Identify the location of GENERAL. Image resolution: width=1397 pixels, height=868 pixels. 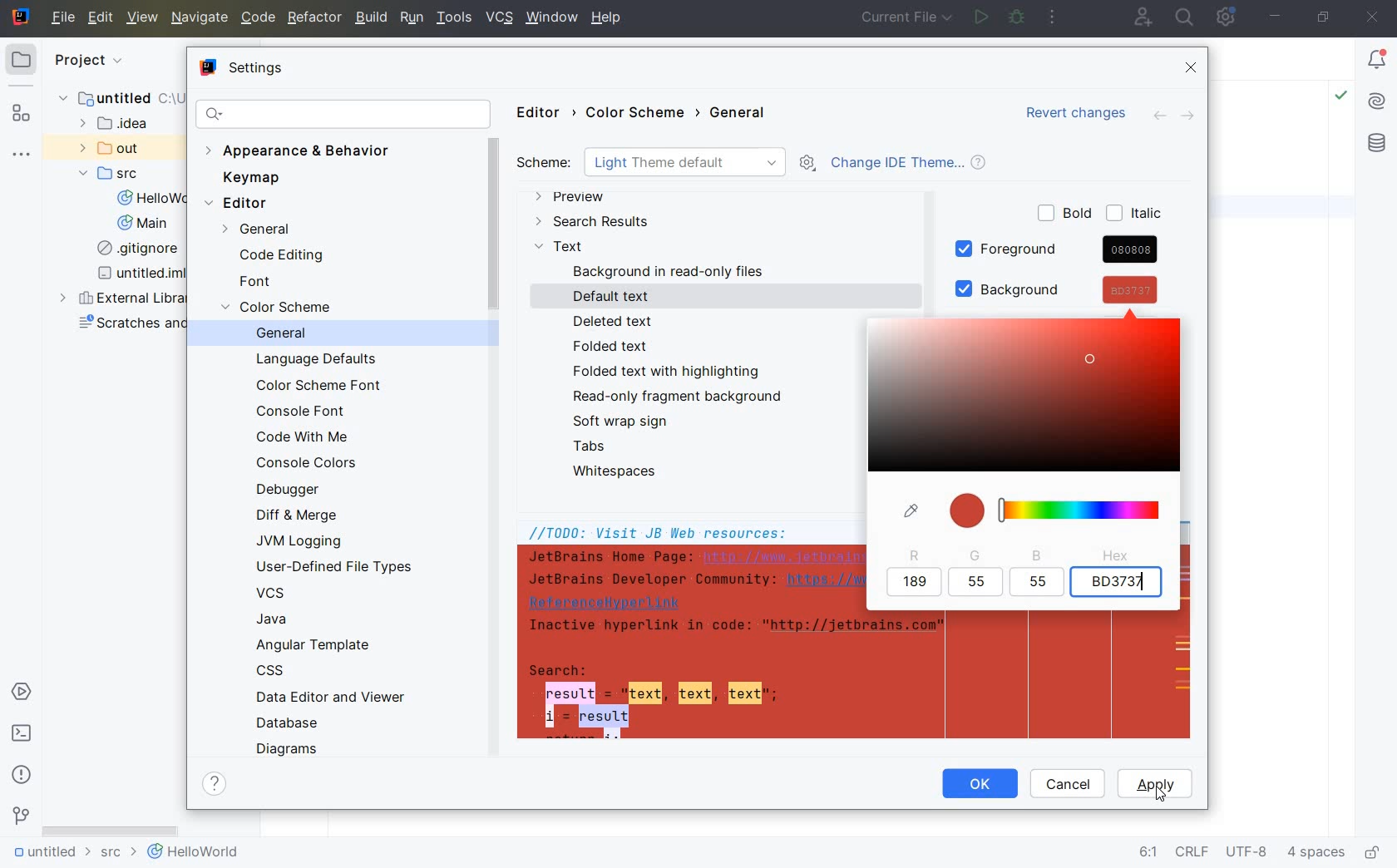
(743, 115).